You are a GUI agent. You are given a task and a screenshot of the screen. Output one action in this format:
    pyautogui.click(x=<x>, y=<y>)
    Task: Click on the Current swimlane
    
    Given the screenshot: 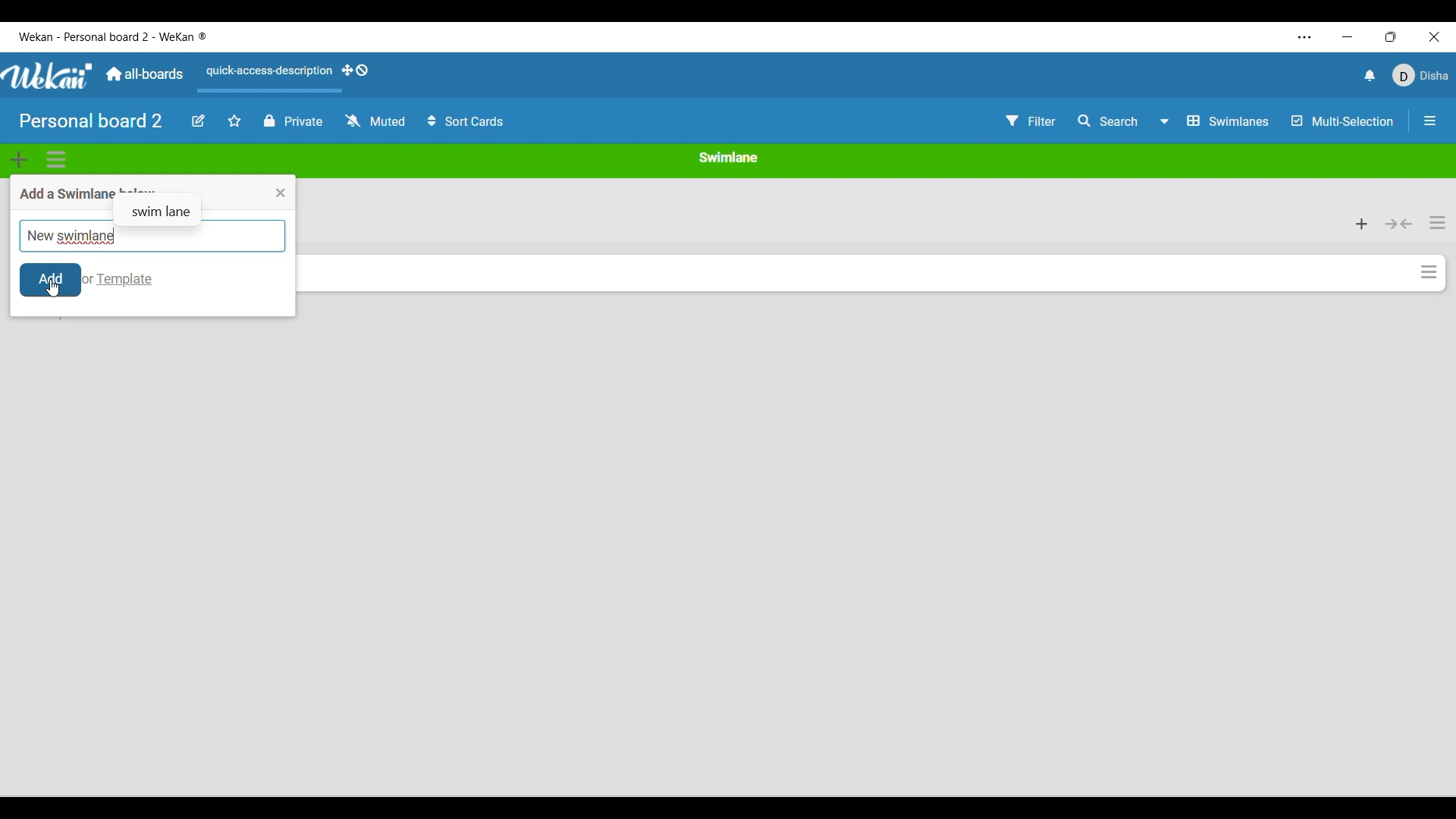 What is the action you would take?
    pyautogui.click(x=728, y=157)
    